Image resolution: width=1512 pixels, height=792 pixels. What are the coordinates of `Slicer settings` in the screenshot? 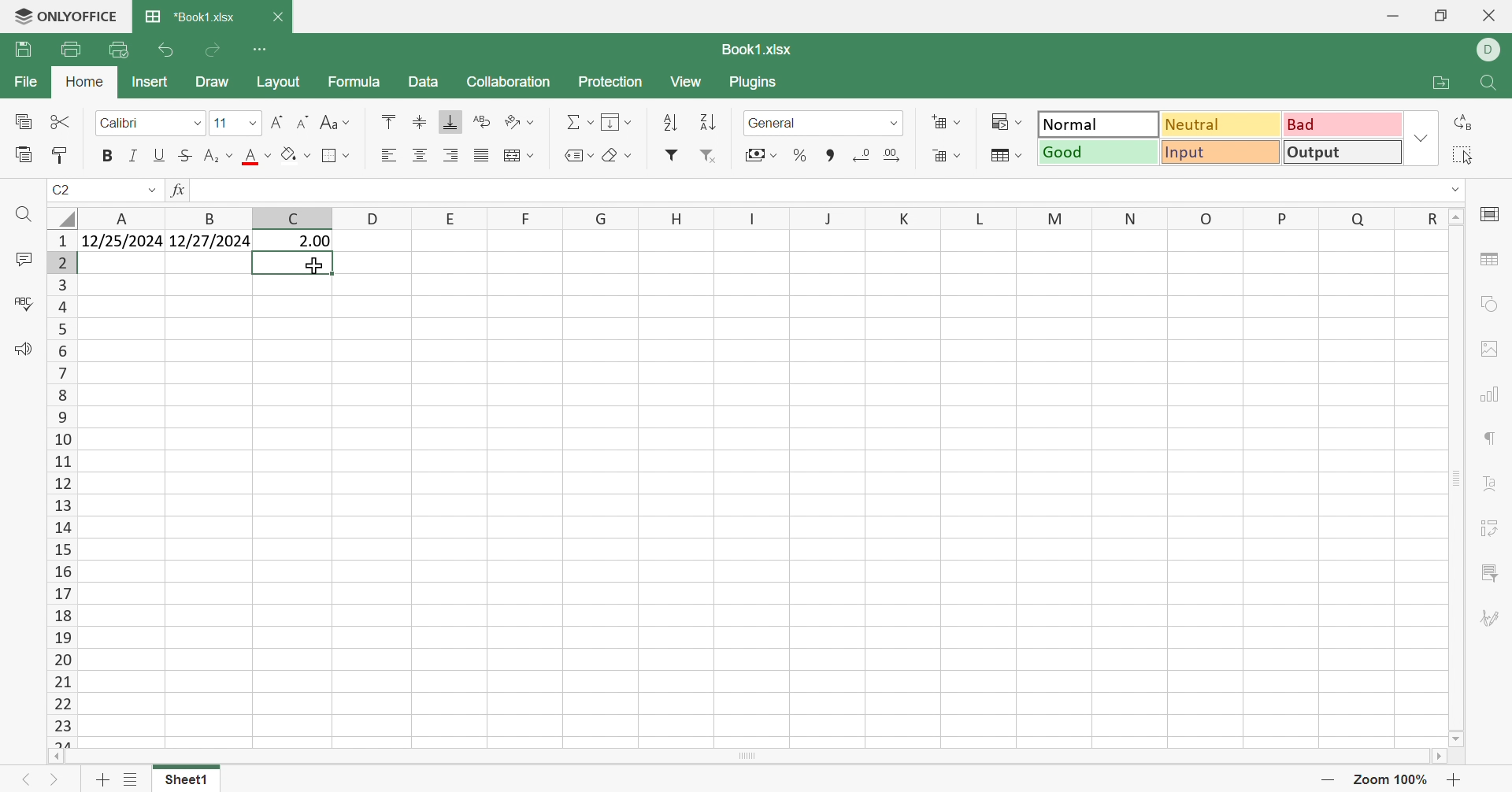 It's located at (1488, 572).